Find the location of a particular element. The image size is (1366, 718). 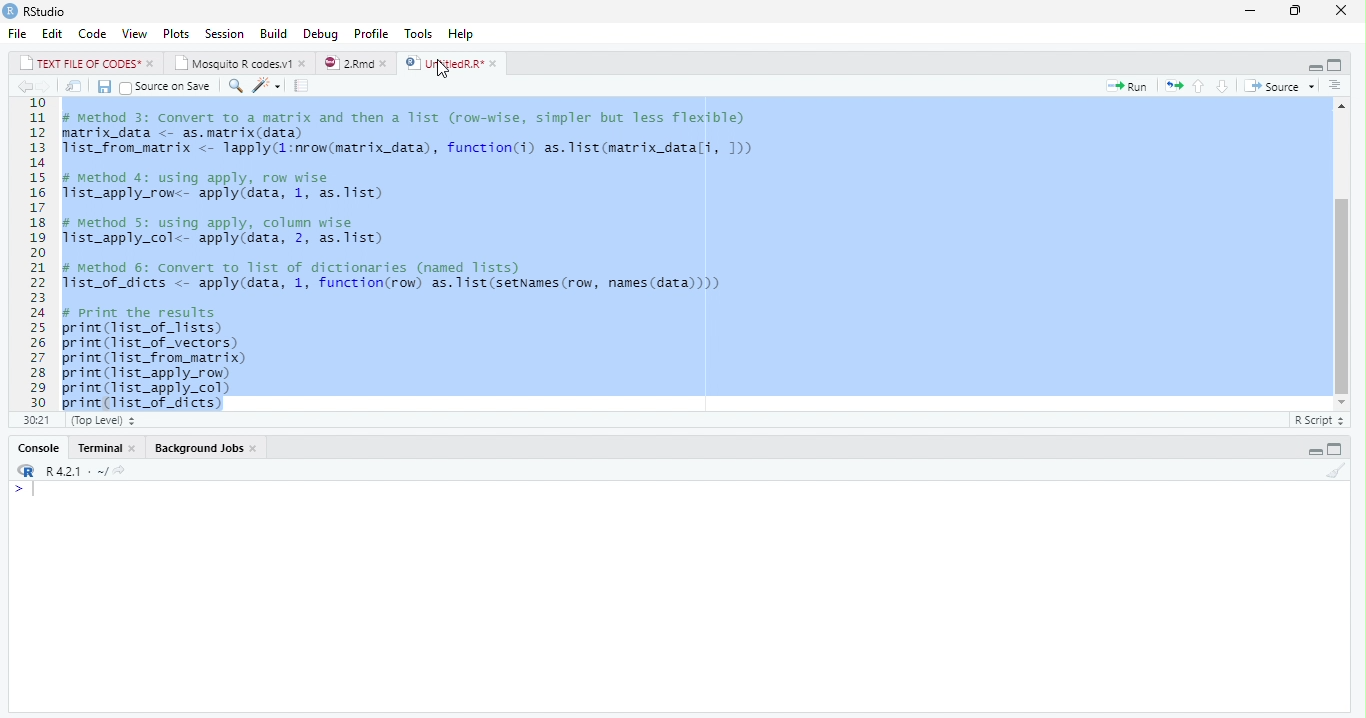

Full Height is located at coordinates (1335, 65).